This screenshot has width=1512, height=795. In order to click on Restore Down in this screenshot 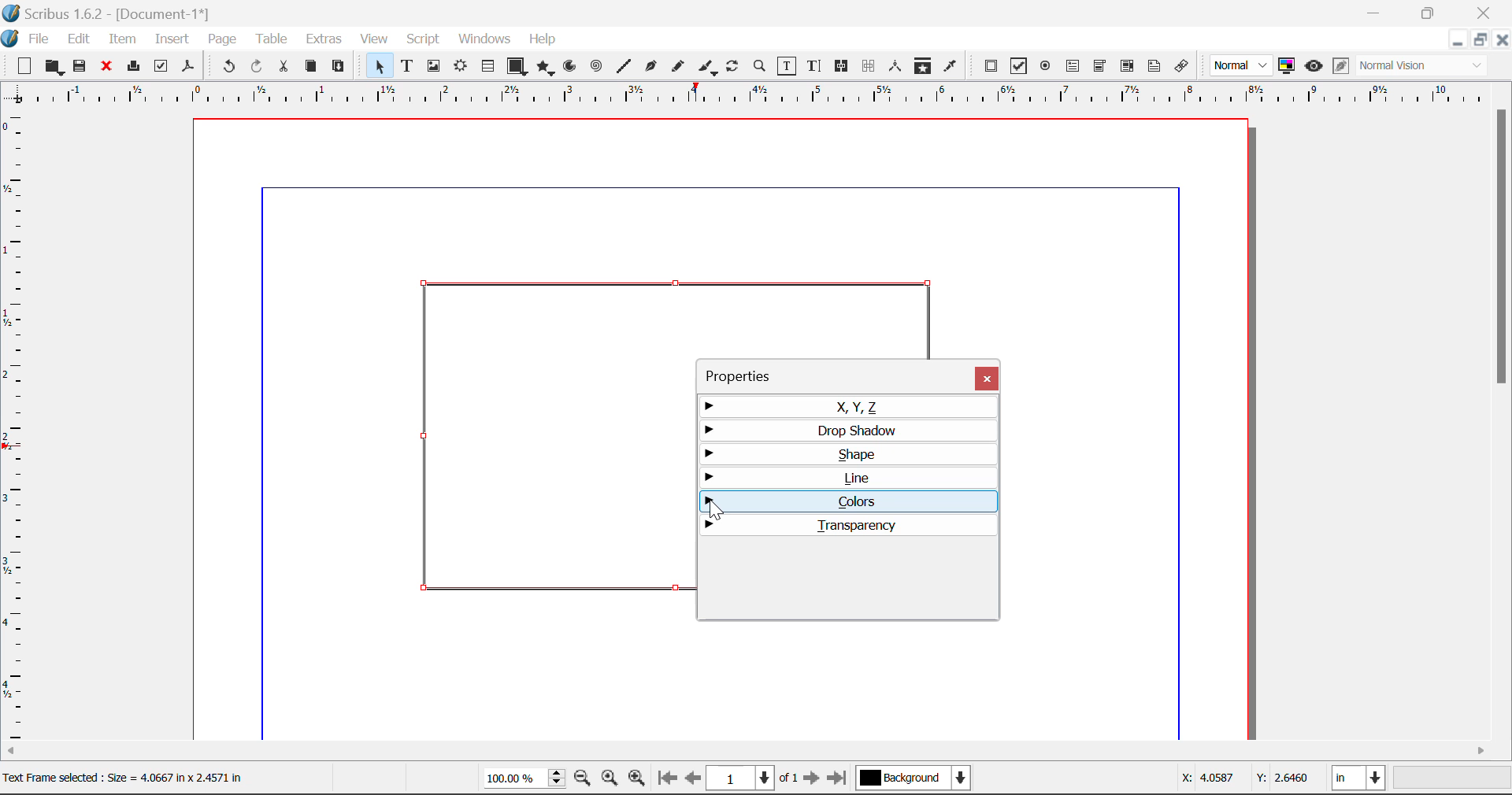, I will do `click(1377, 13)`.